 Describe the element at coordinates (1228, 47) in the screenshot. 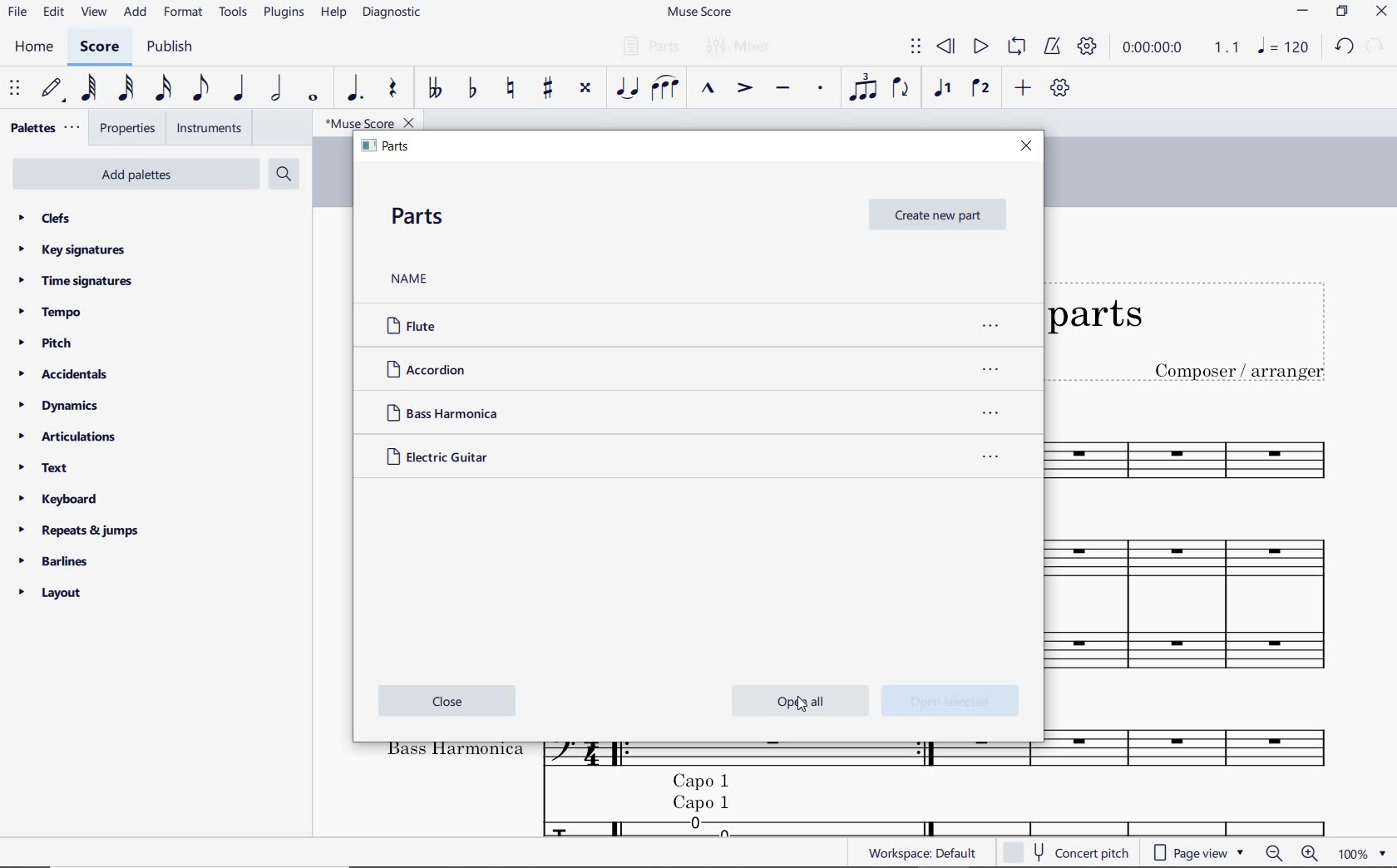

I see `Playback speed` at that location.